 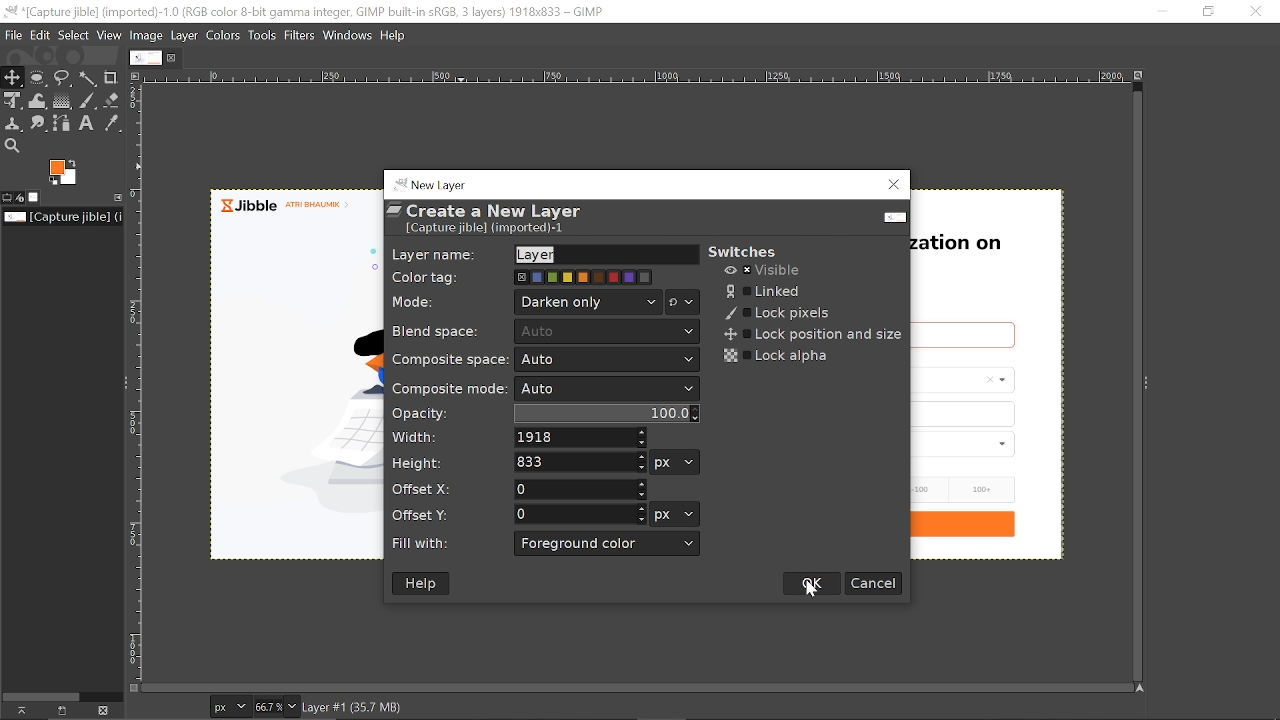 What do you see at coordinates (64, 122) in the screenshot?
I see `Path tool` at bounding box center [64, 122].